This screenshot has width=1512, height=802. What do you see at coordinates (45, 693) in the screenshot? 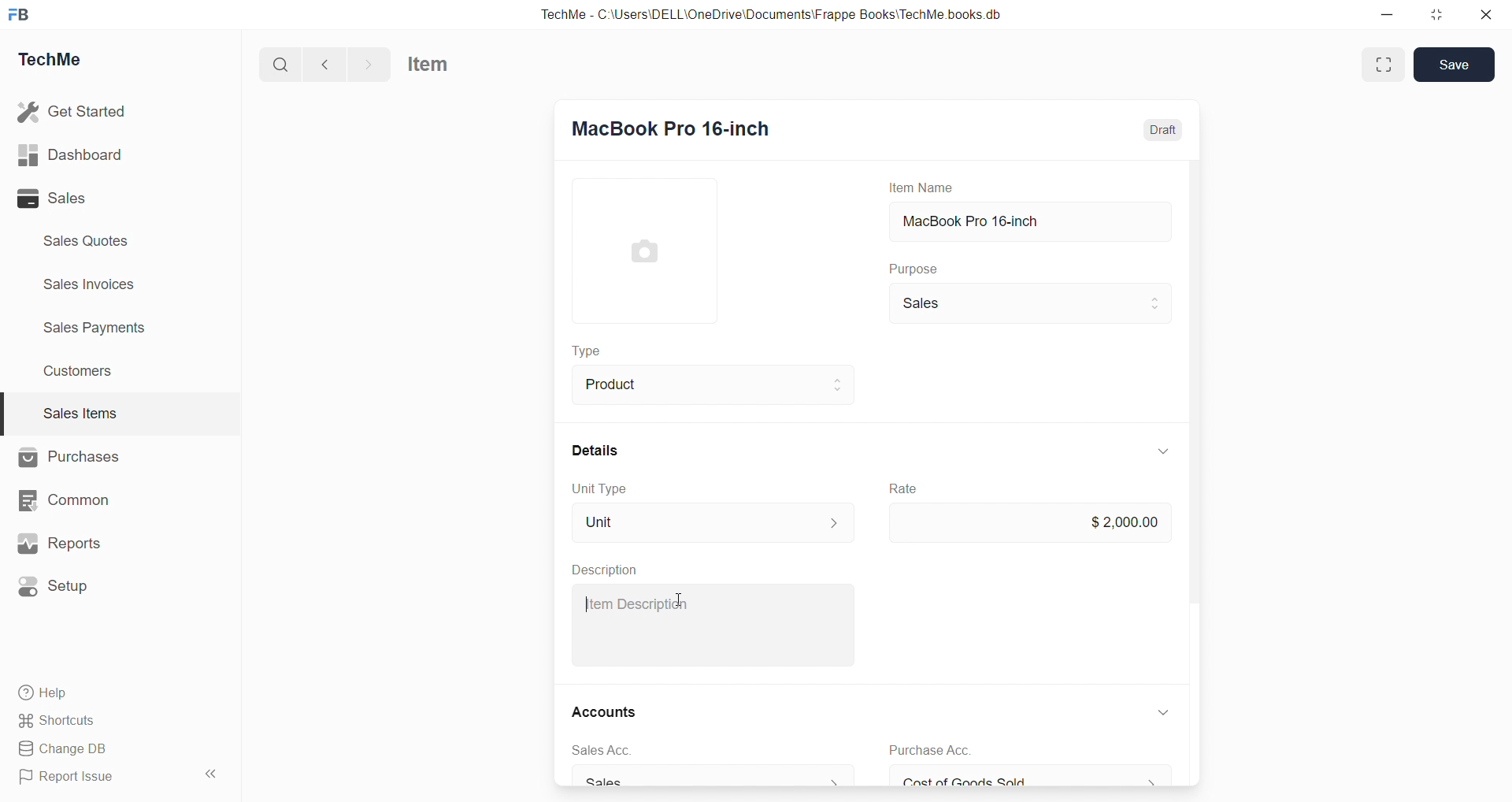
I see `Help` at bounding box center [45, 693].